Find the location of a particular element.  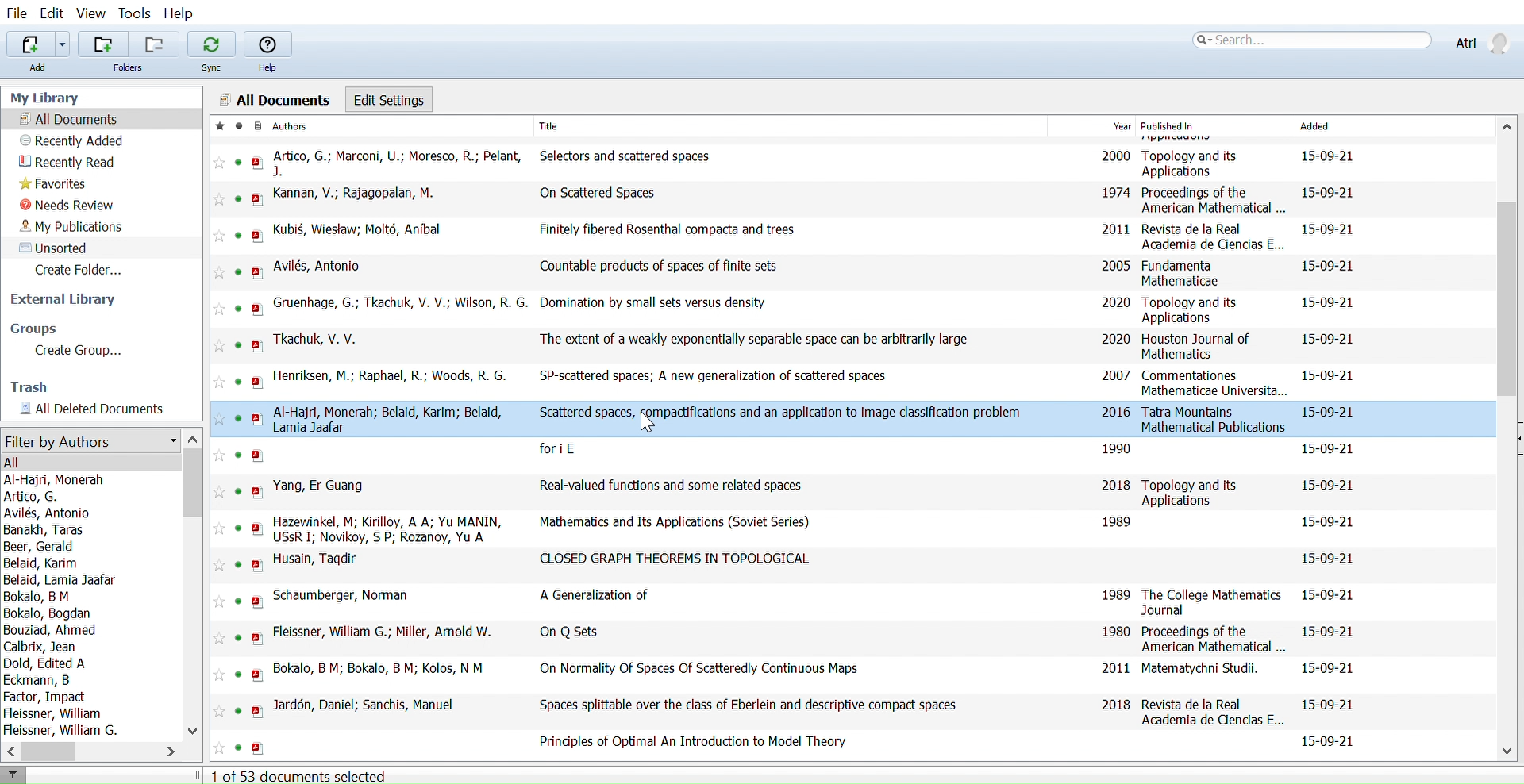

Favourite is located at coordinates (219, 528).